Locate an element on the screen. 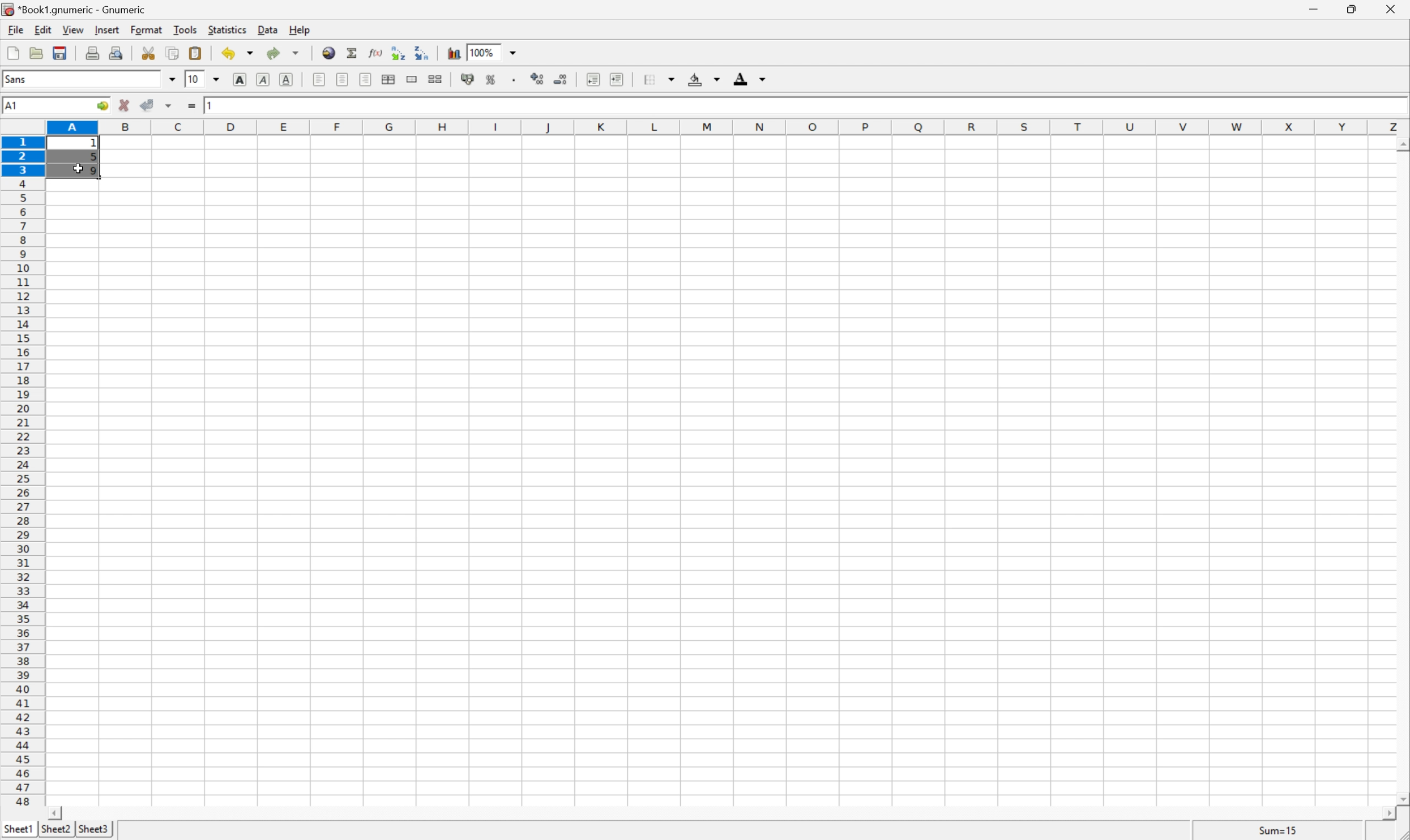  1 is located at coordinates (96, 144).